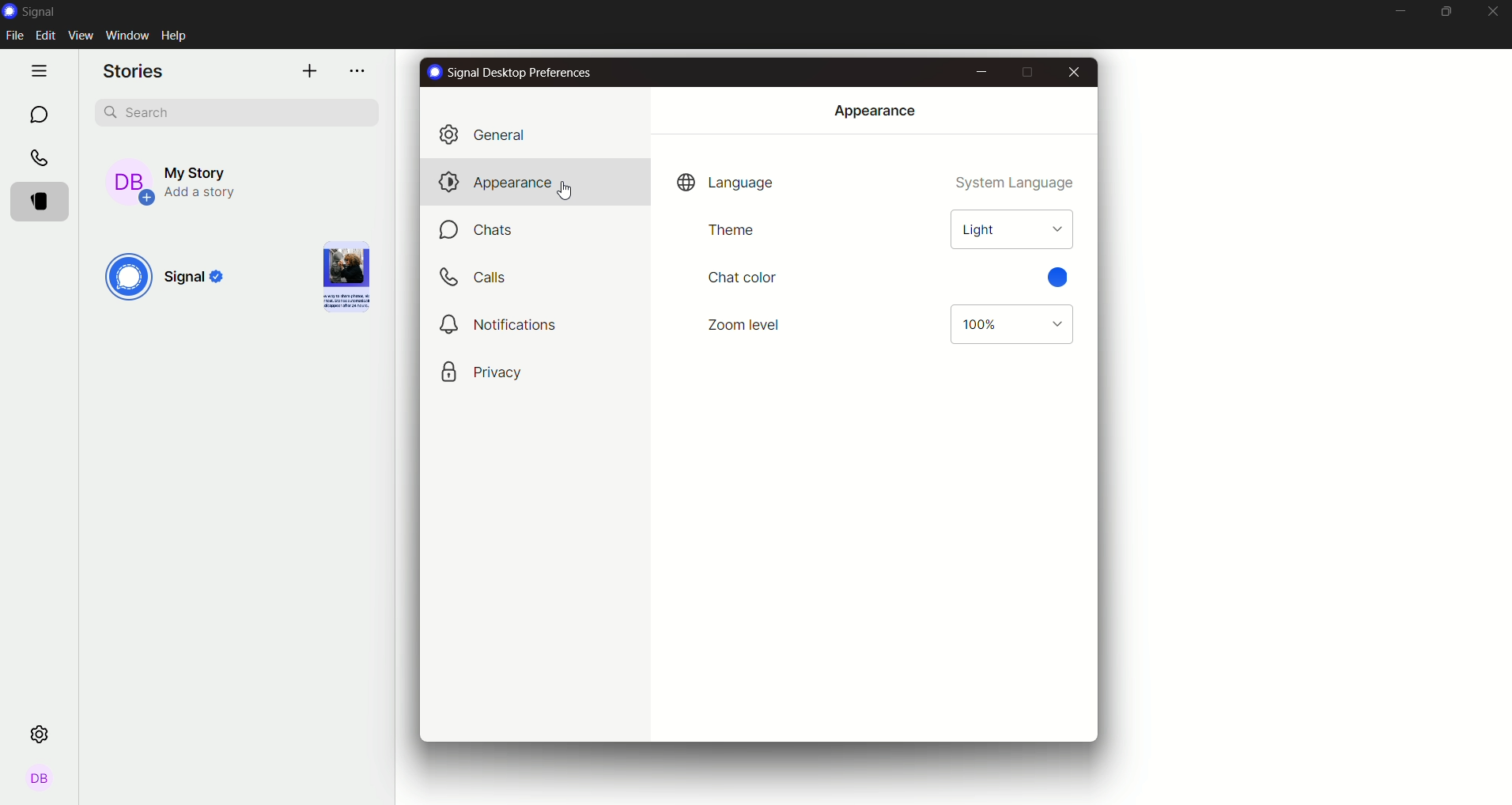 This screenshot has height=805, width=1512. What do you see at coordinates (730, 230) in the screenshot?
I see `theme` at bounding box center [730, 230].